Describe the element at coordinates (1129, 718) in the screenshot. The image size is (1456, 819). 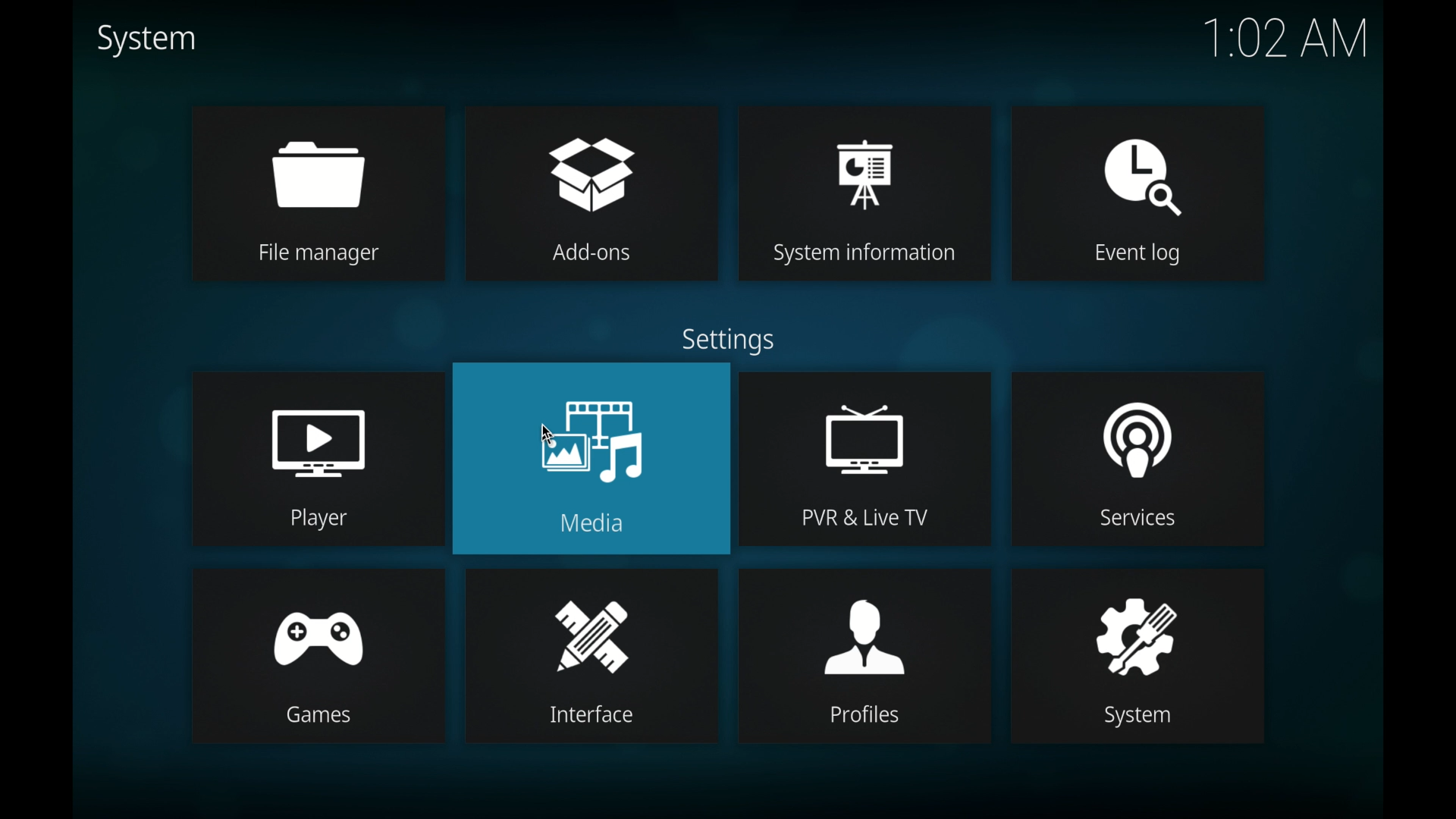
I see `System` at that location.